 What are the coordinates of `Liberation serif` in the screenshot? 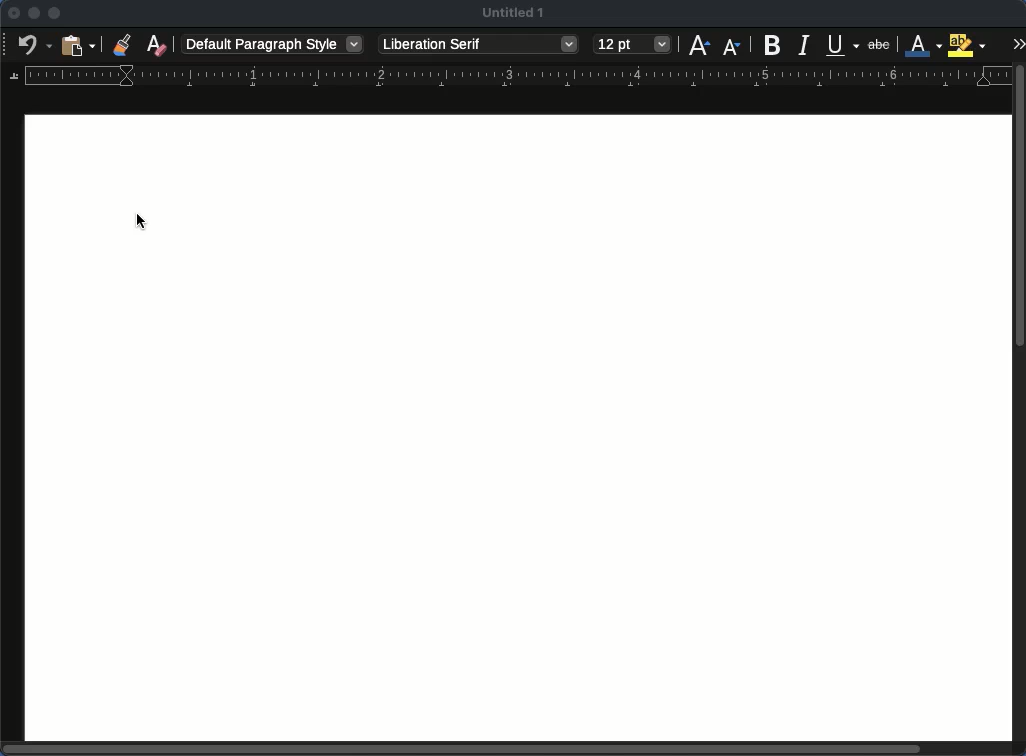 It's located at (480, 45).